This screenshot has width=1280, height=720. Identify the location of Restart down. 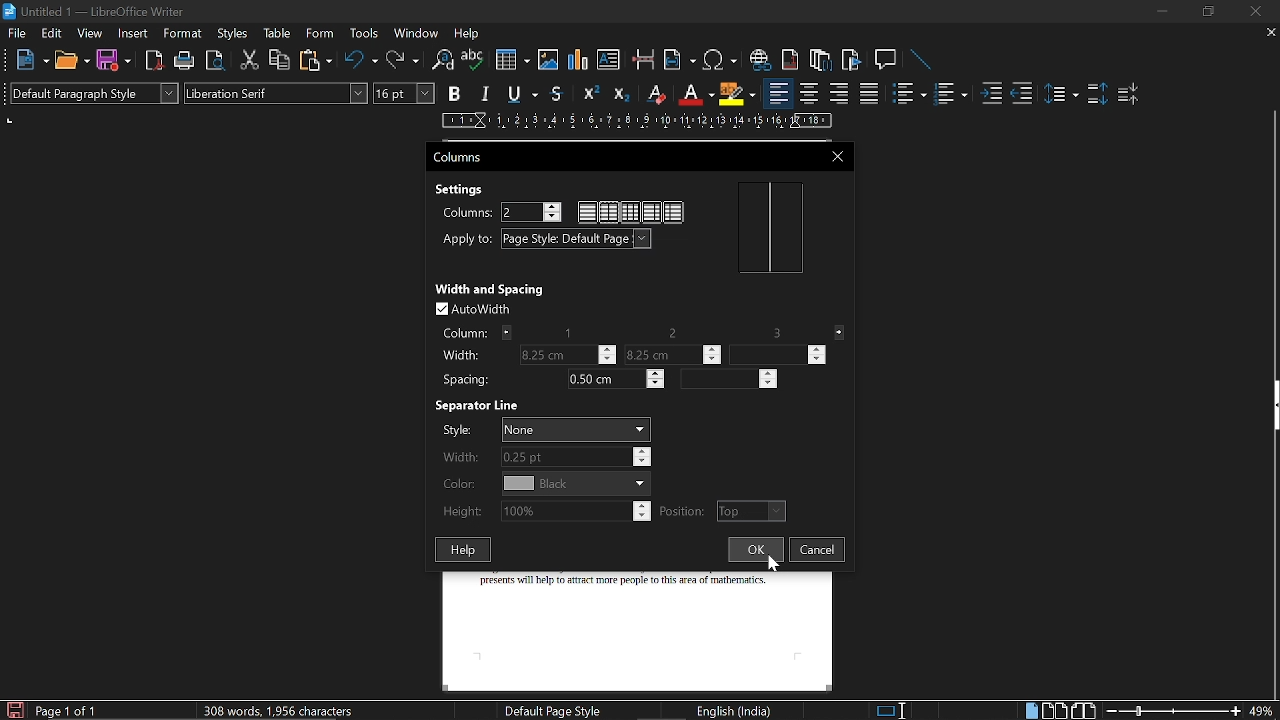
(1206, 14).